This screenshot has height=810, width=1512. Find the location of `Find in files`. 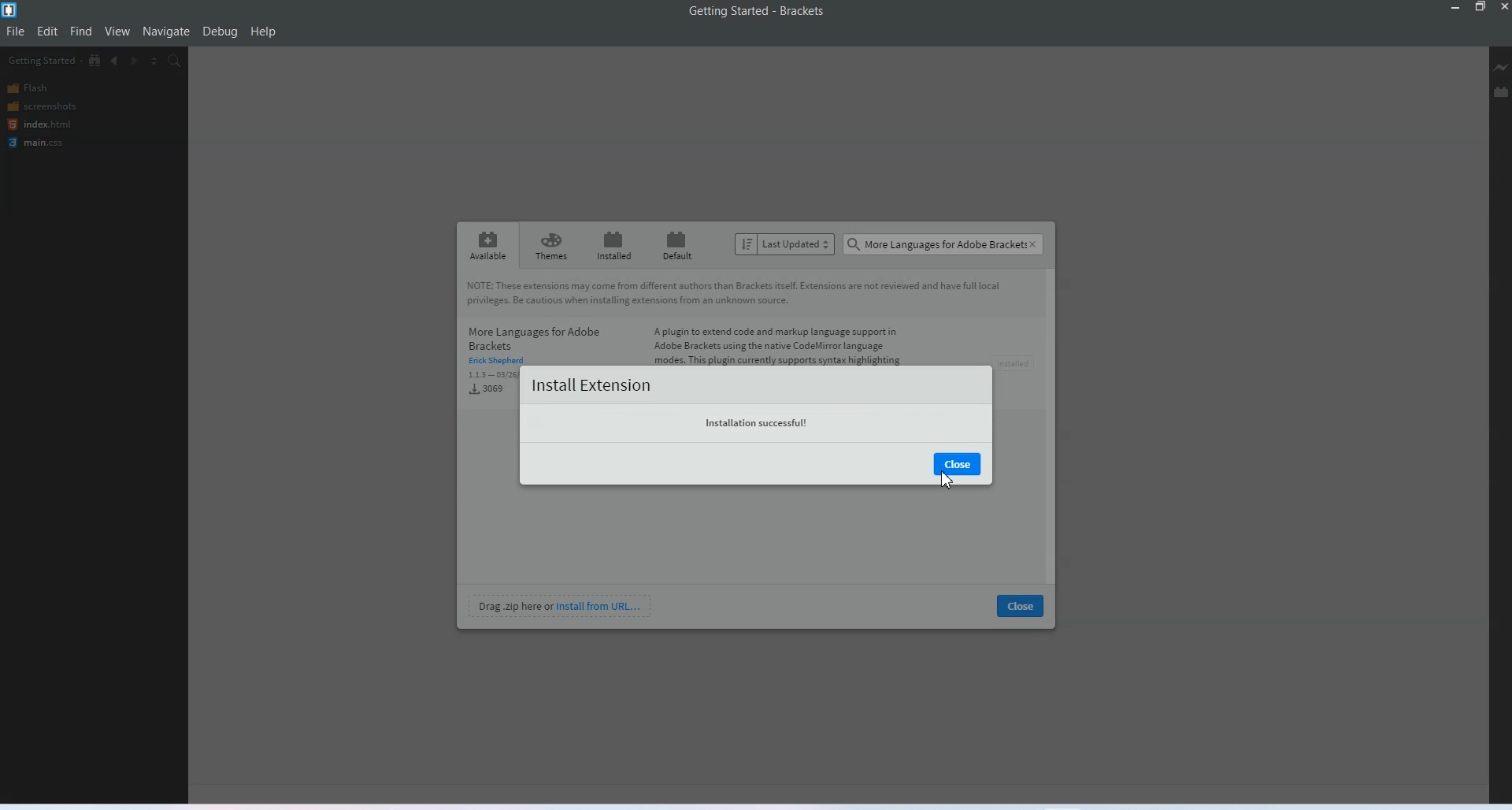

Find in files is located at coordinates (175, 61).